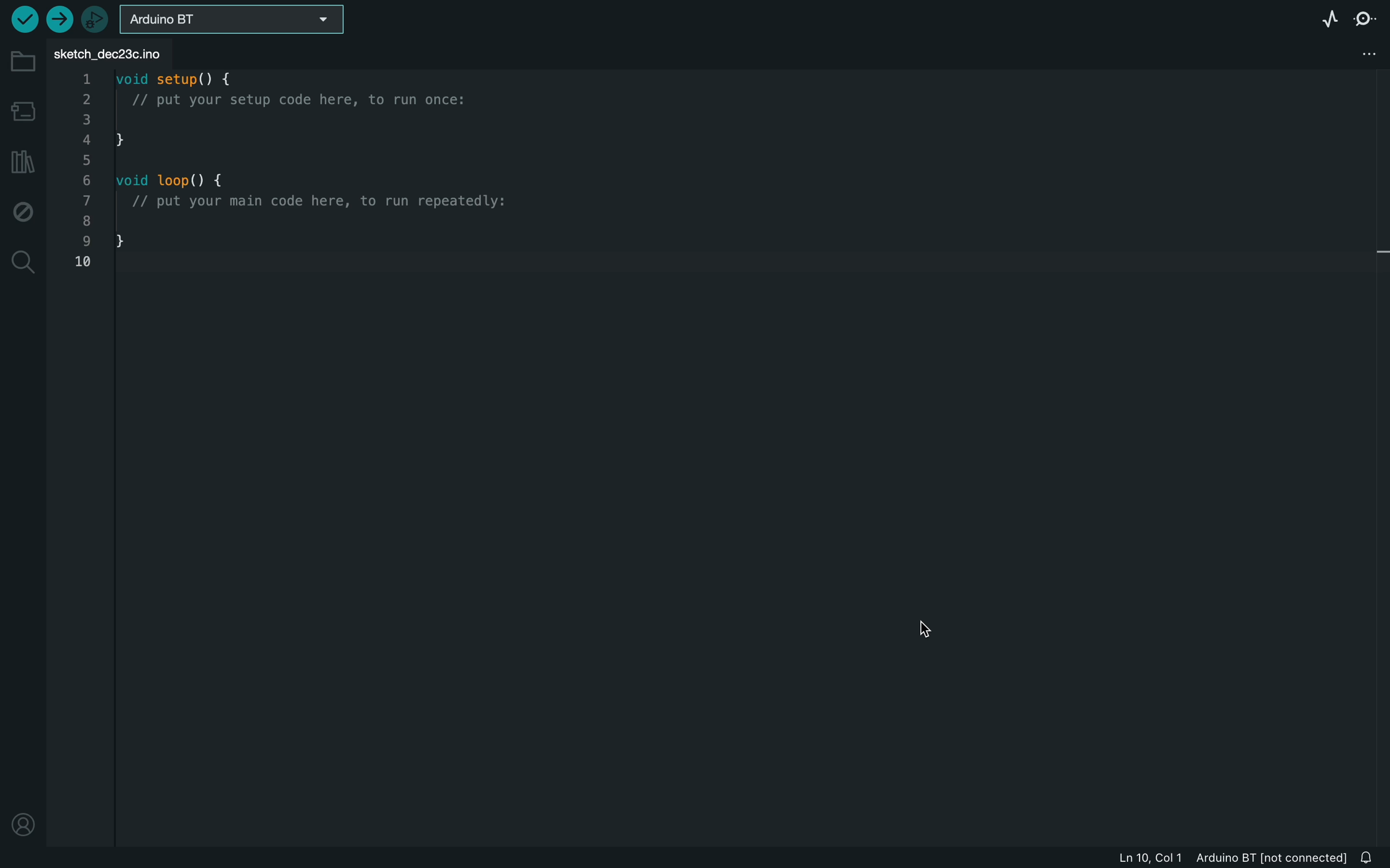  Describe the element at coordinates (132, 51) in the screenshot. I see `file tab` at that location.